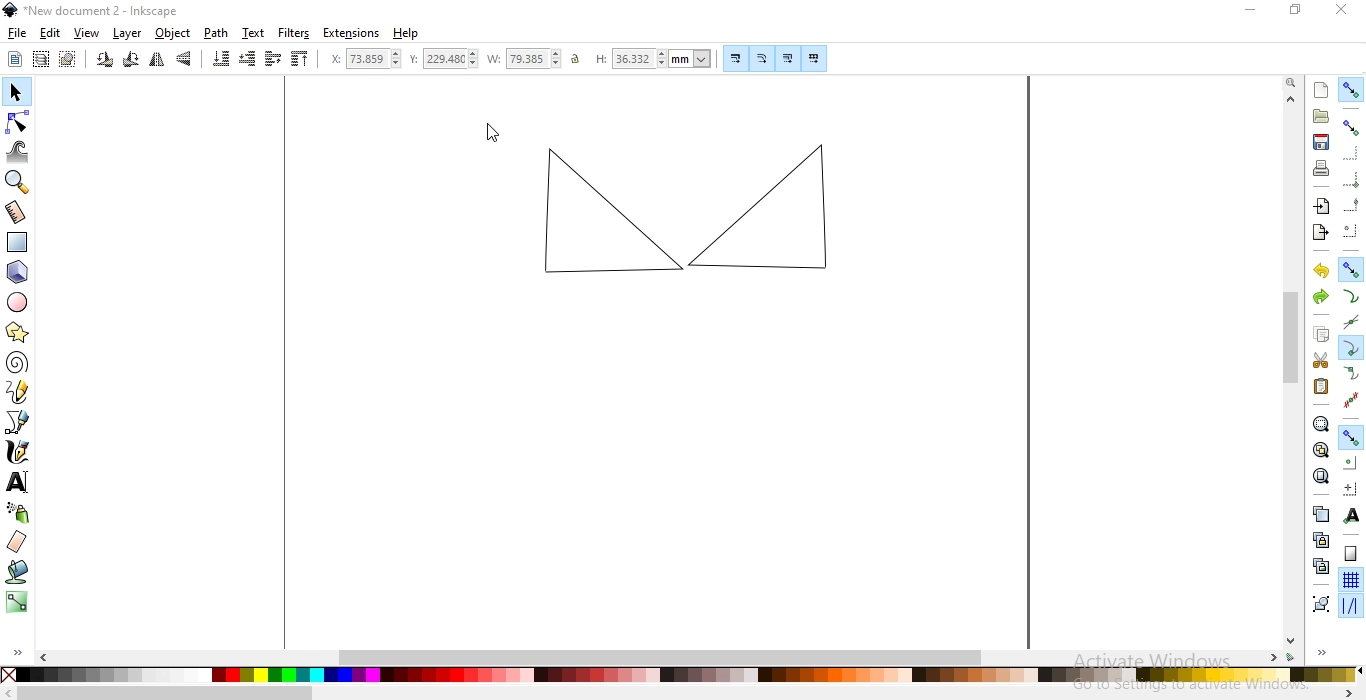 The width and height of the screenshot is (1366, 700). What do you see at coordinates (1321, 142) in the screenshot?
I see `save document` at bounding box center [1321, 142].